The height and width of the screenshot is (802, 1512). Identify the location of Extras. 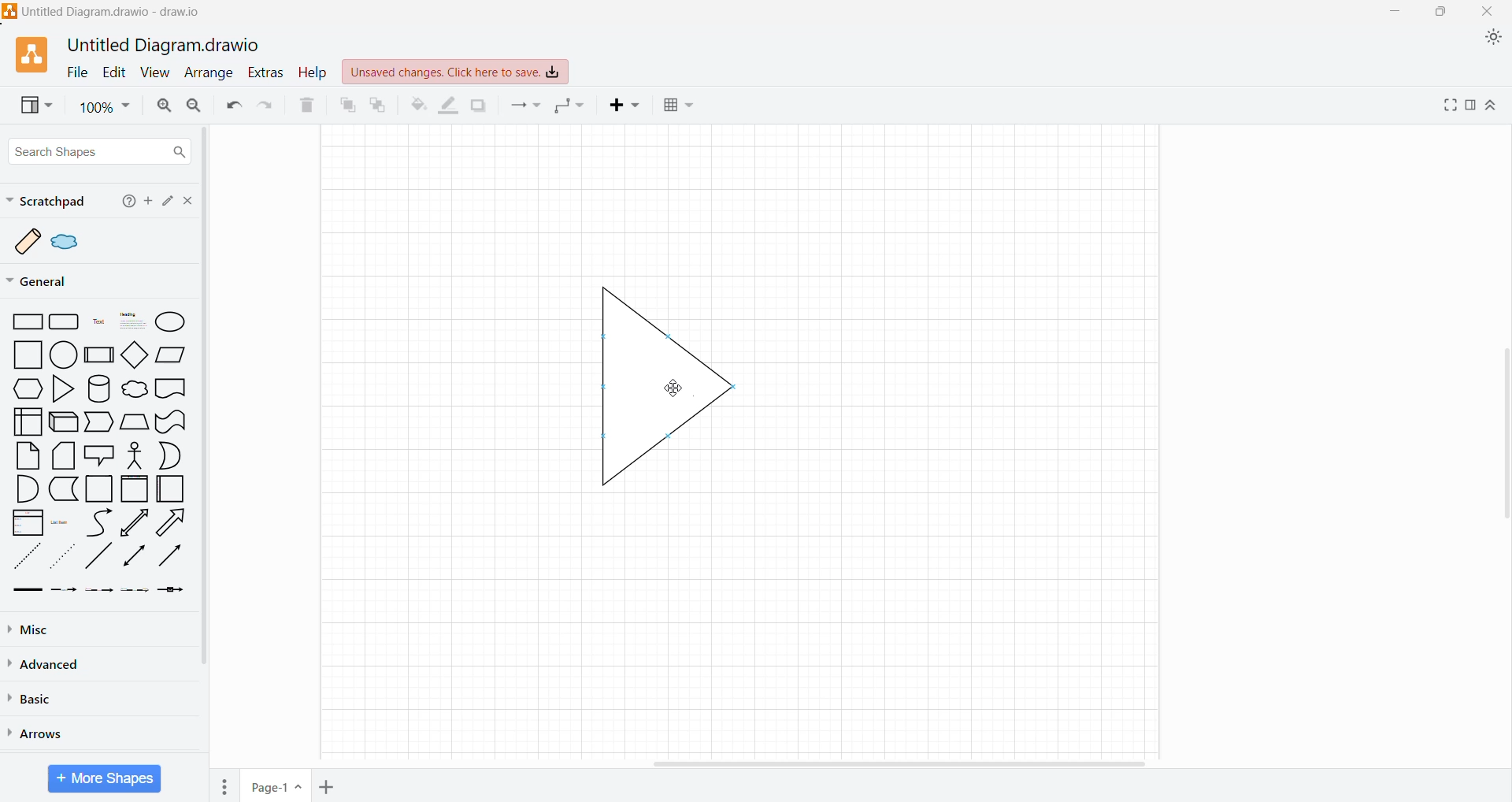
(269, 72).